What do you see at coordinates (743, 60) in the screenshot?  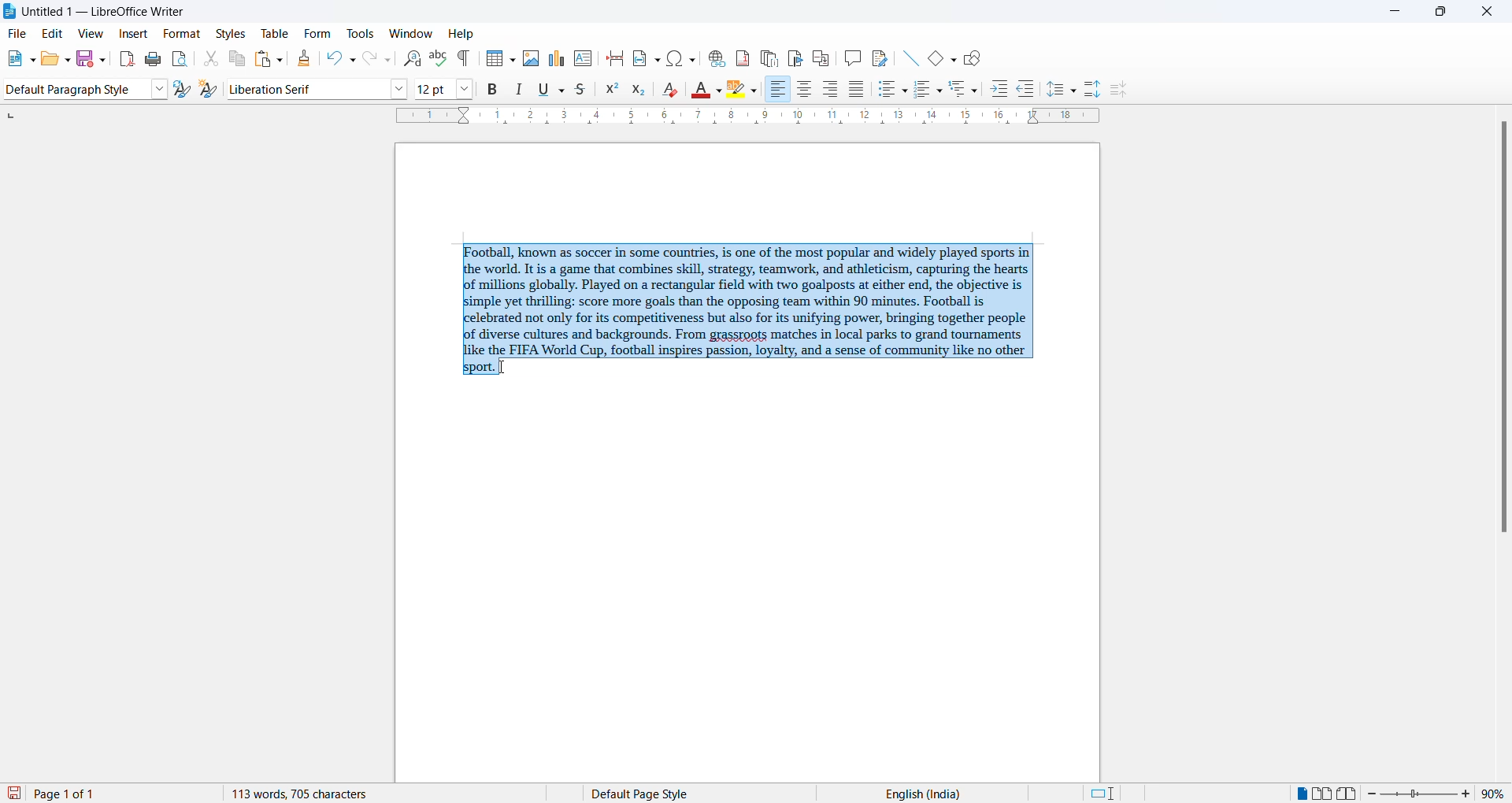 I see `insert footnote` at bounding box center [743, 60].